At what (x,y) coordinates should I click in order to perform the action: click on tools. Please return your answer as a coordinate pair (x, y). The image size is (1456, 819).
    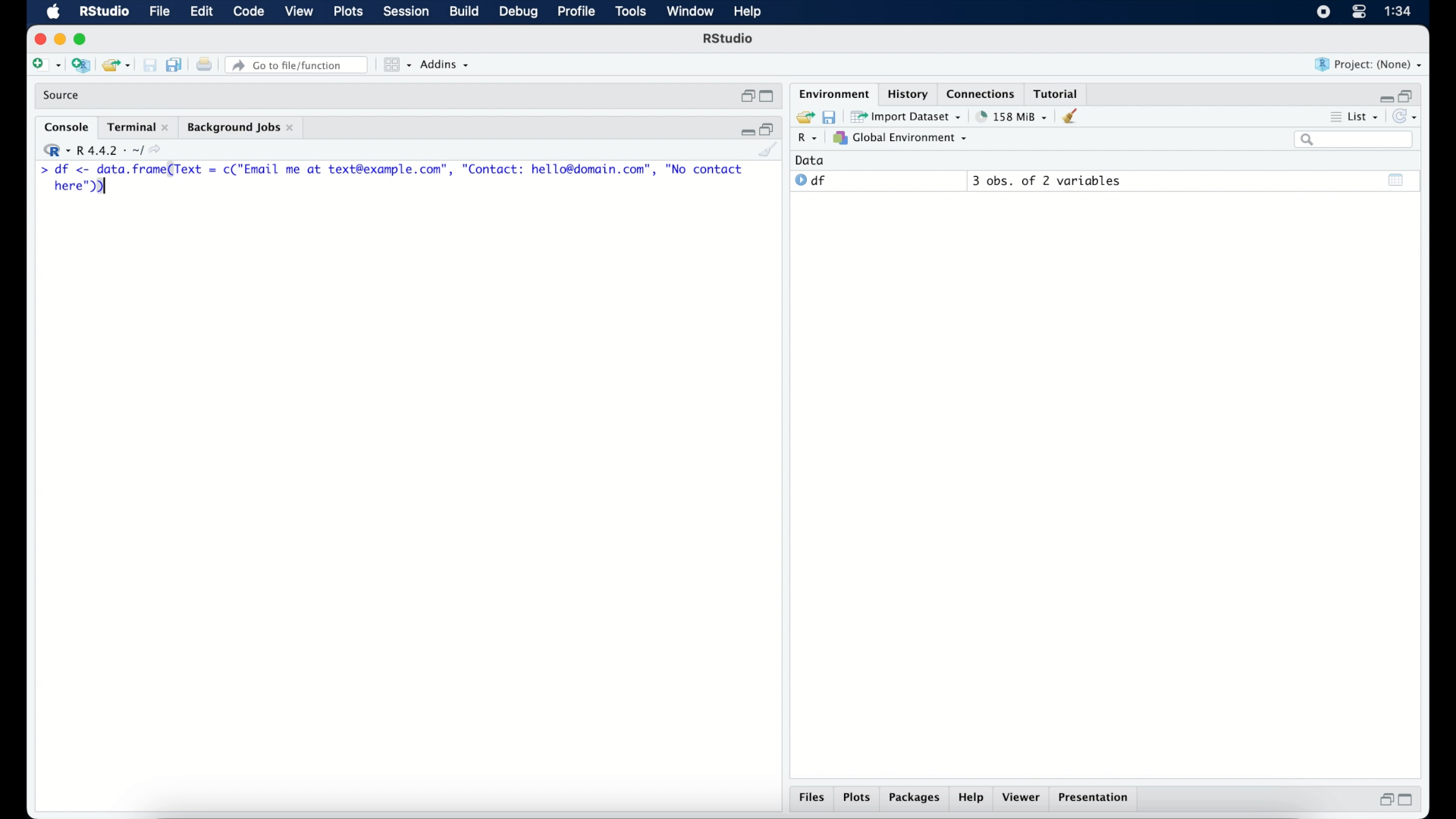
    Looking at the image, I should click on (629, 12).